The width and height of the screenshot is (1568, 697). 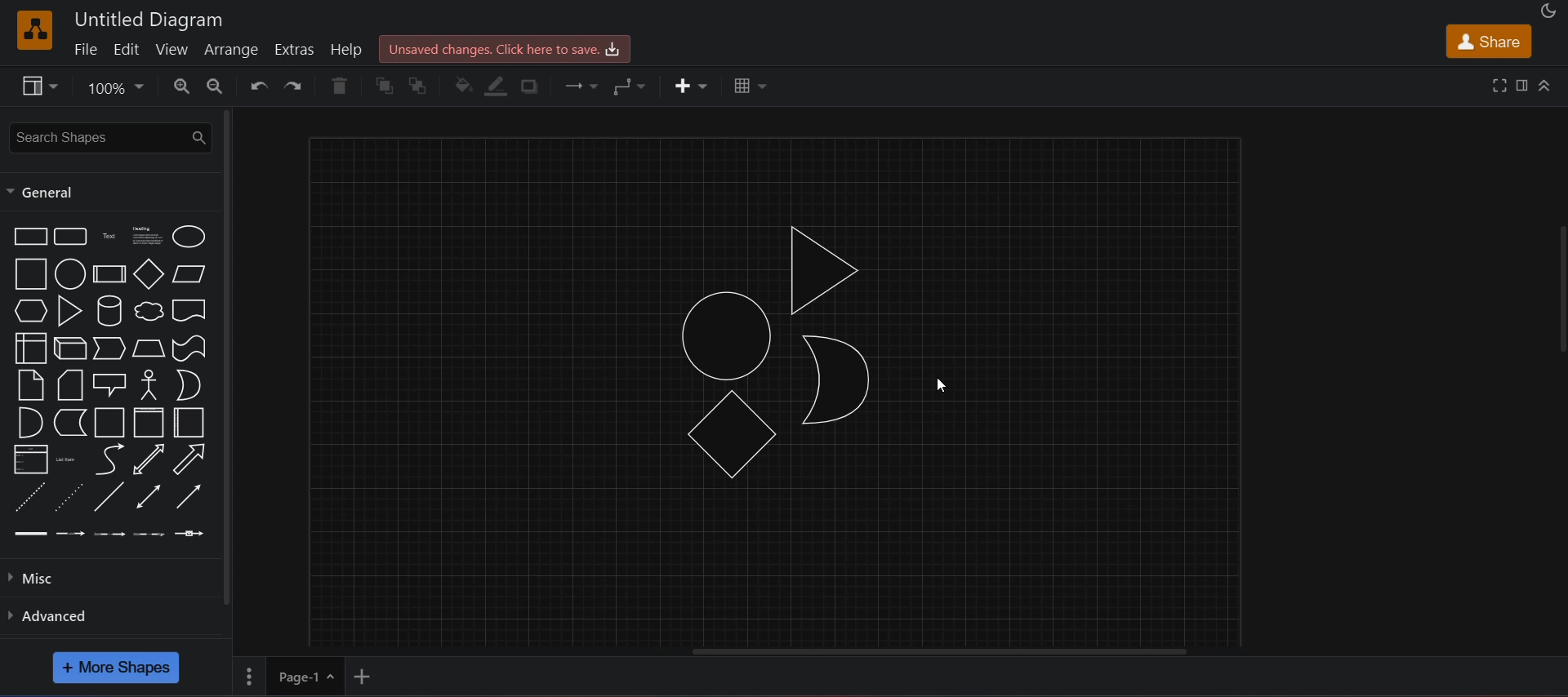 What do you see at coordinates (187, 237) in the screenshot?
I see `ellipse` at bounding box center [187, 237].